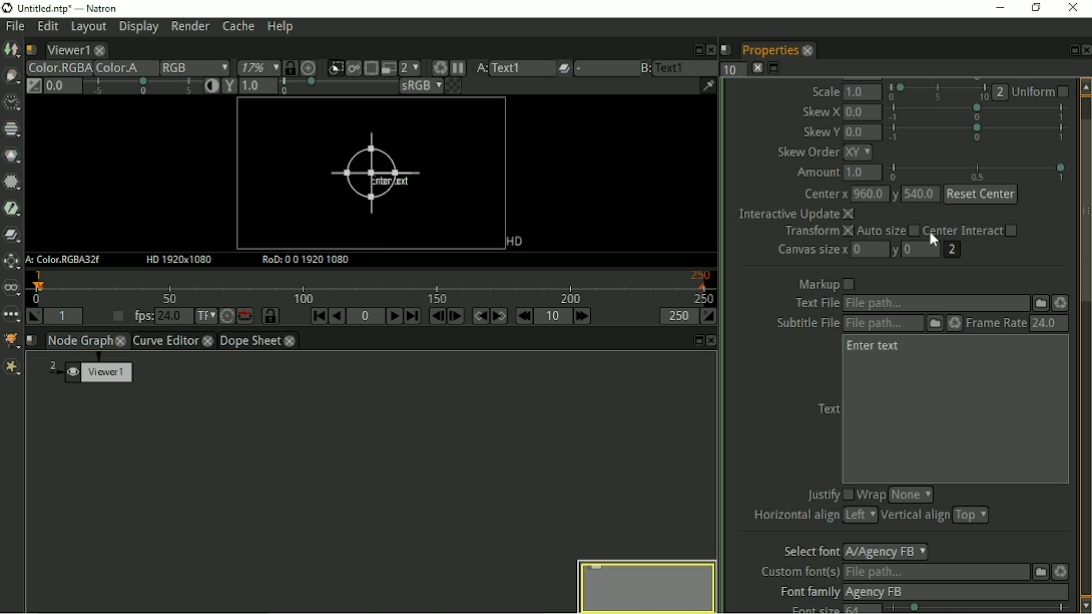 Image resolution: width=1092 pixels, height=614 pixels. What do you see at coordinates (564, 68) in the screenshot?
I see `Operations applied between A and B` at bounding box center [564, 68].